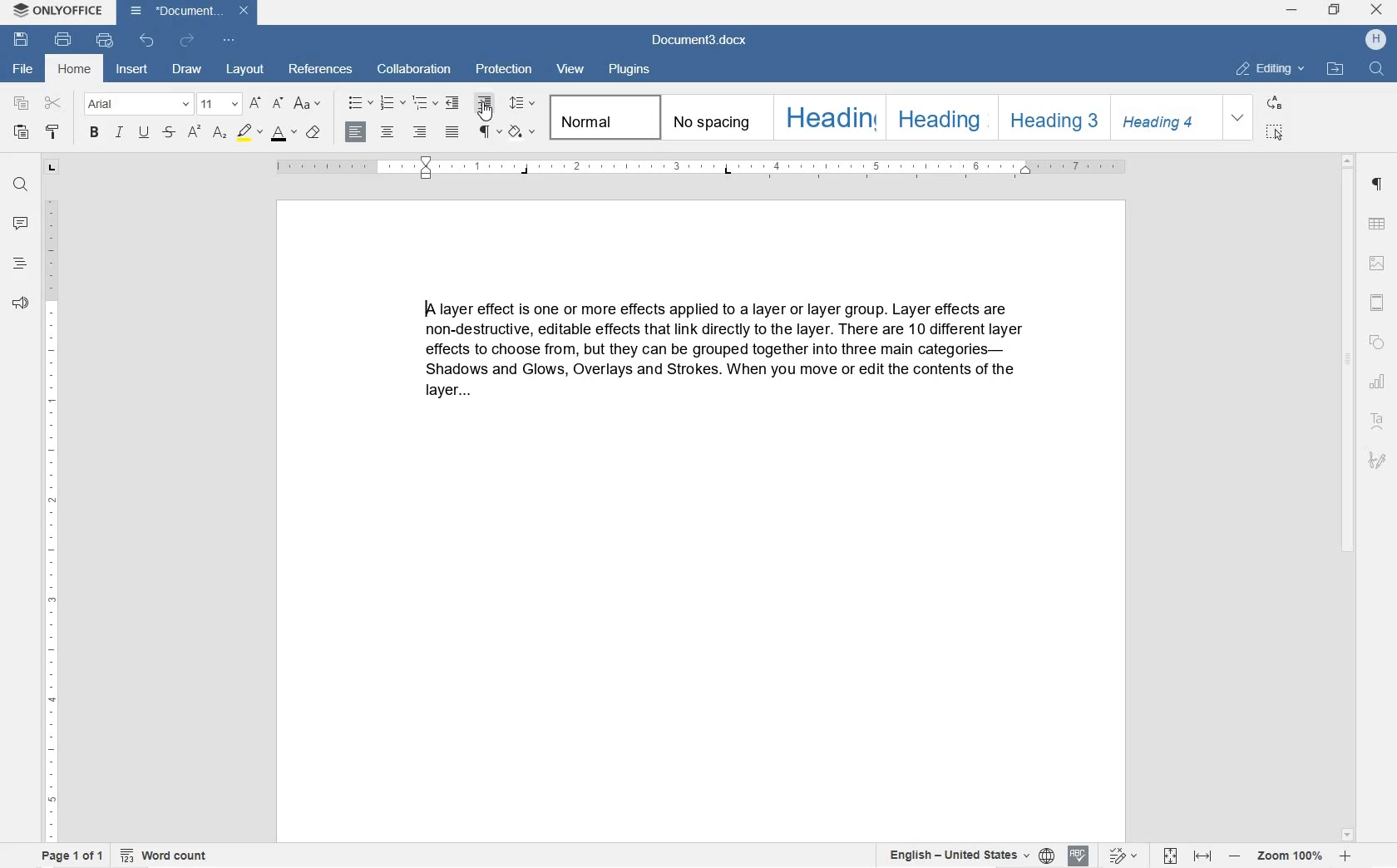 The width and height of the screenshot is (1397, 868). I want to click on QUICK PRINT, so click(104, 40).